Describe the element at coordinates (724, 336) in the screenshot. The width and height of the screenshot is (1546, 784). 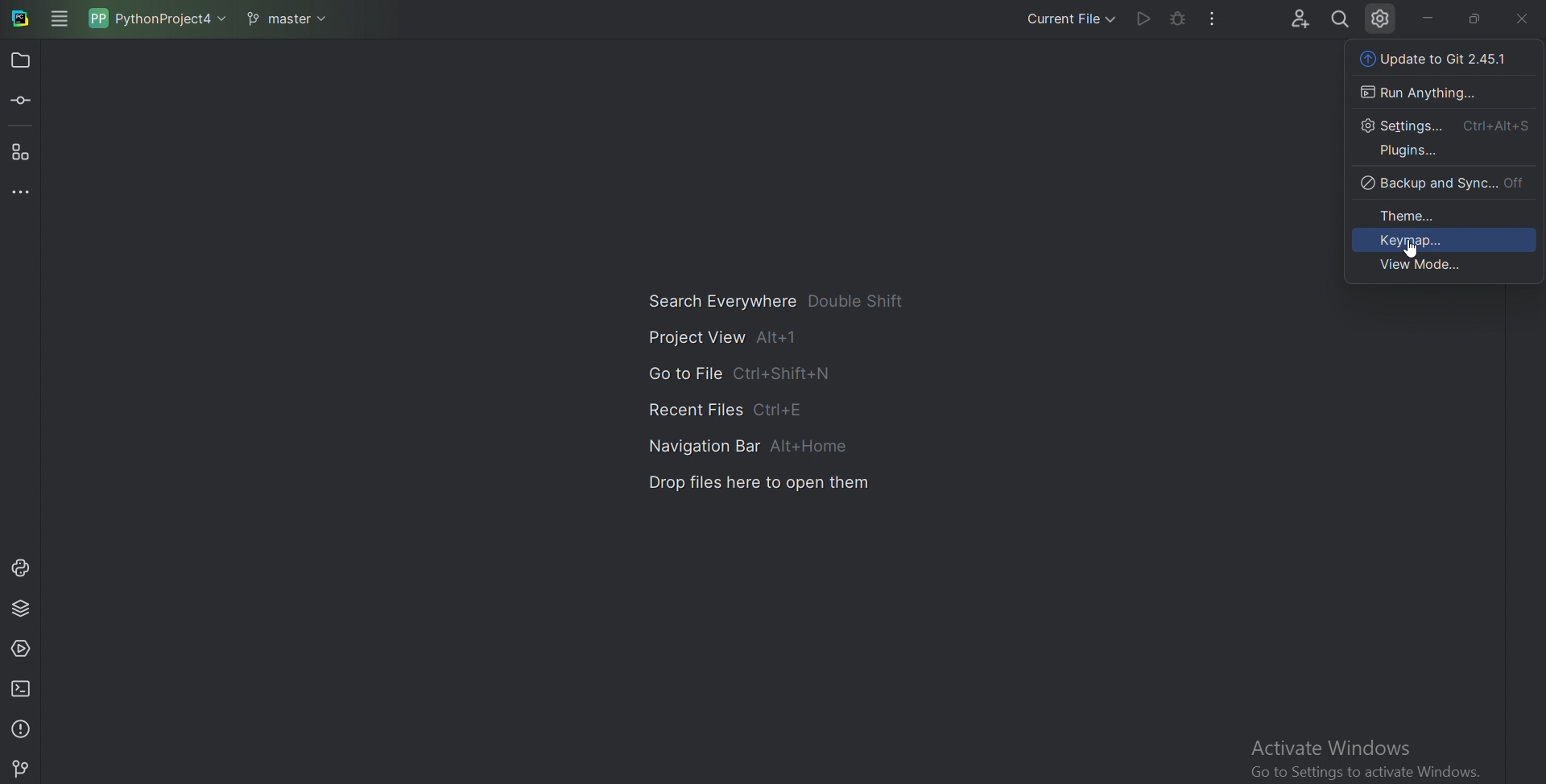
I see `Project view Alt+1` at that location.